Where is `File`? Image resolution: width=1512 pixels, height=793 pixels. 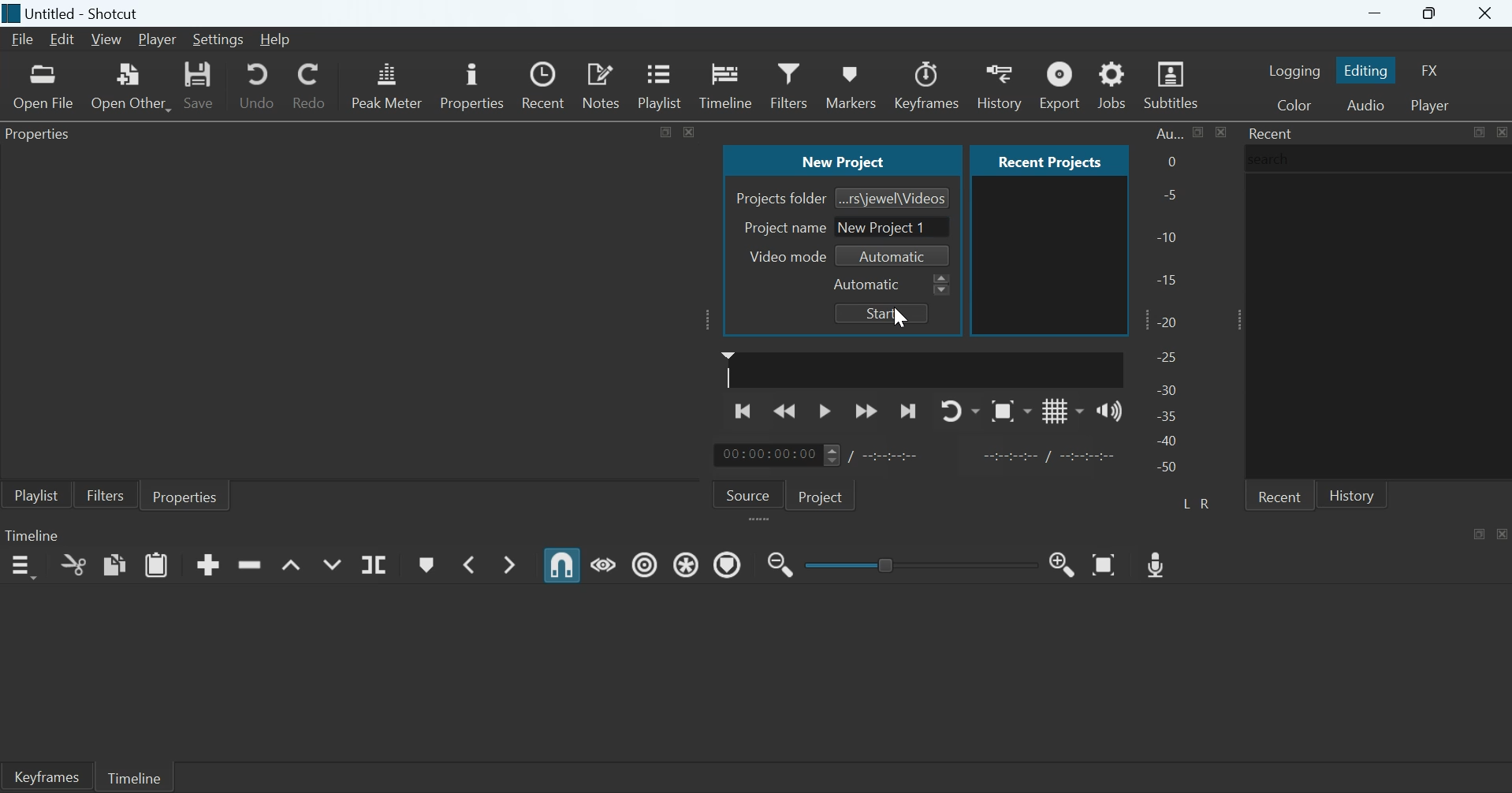 File is located at coordinates (24, 39).